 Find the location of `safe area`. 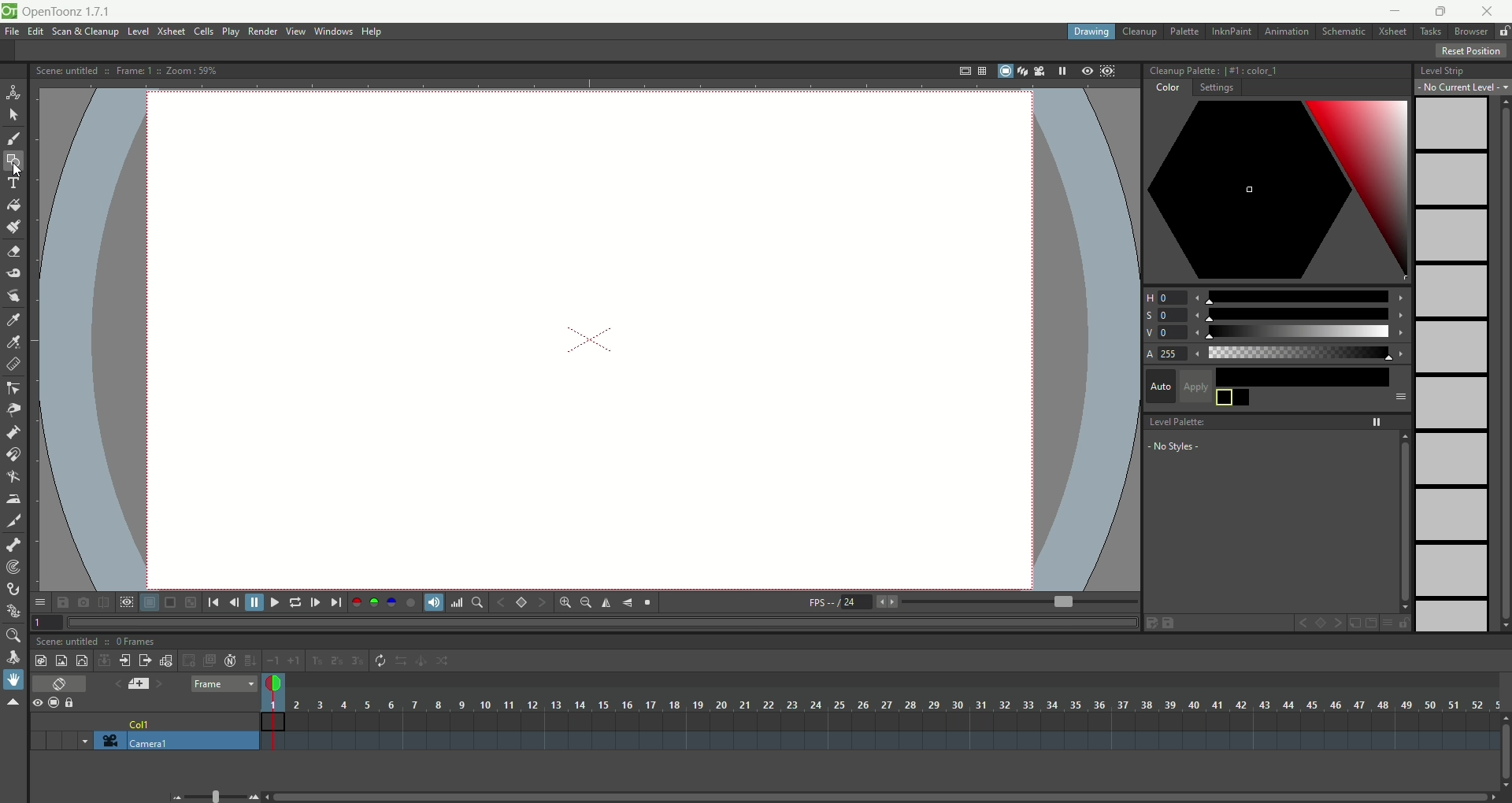

safe area is located at coordinates (963, 72).